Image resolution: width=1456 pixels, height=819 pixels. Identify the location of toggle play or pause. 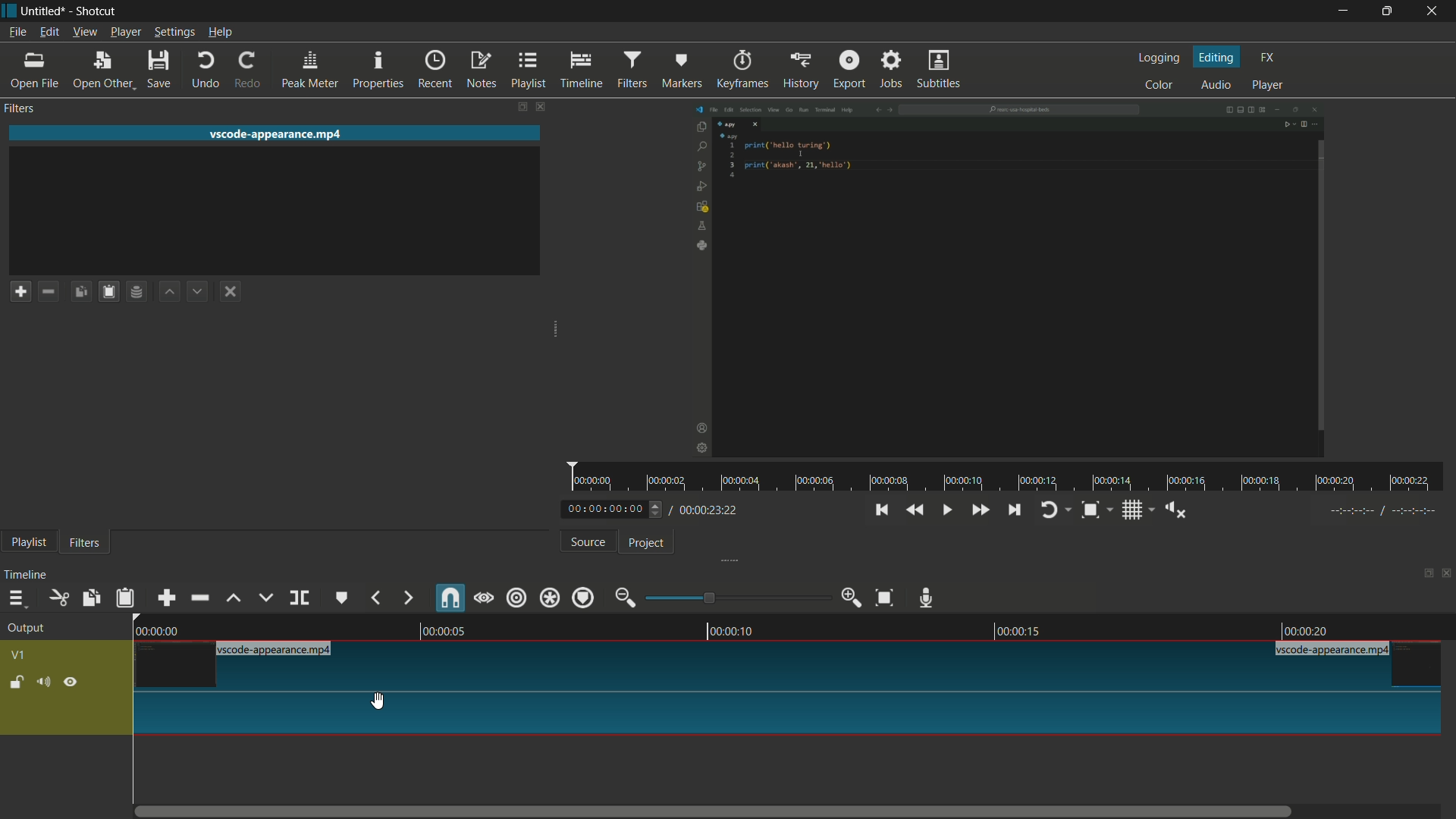
(944, 510).